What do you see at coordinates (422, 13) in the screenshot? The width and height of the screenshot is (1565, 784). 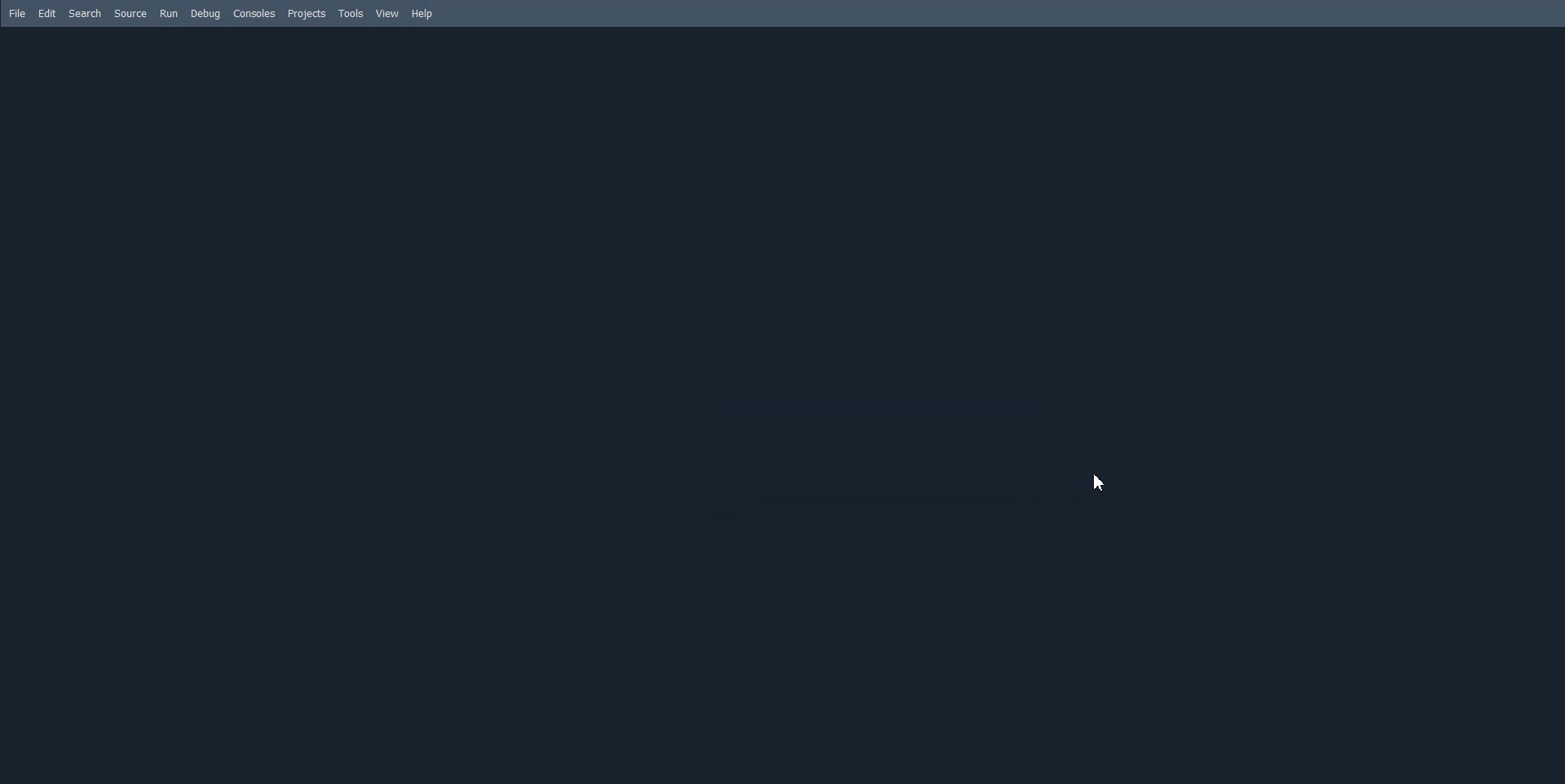 I see `Help` at bounding box center [422, 13].